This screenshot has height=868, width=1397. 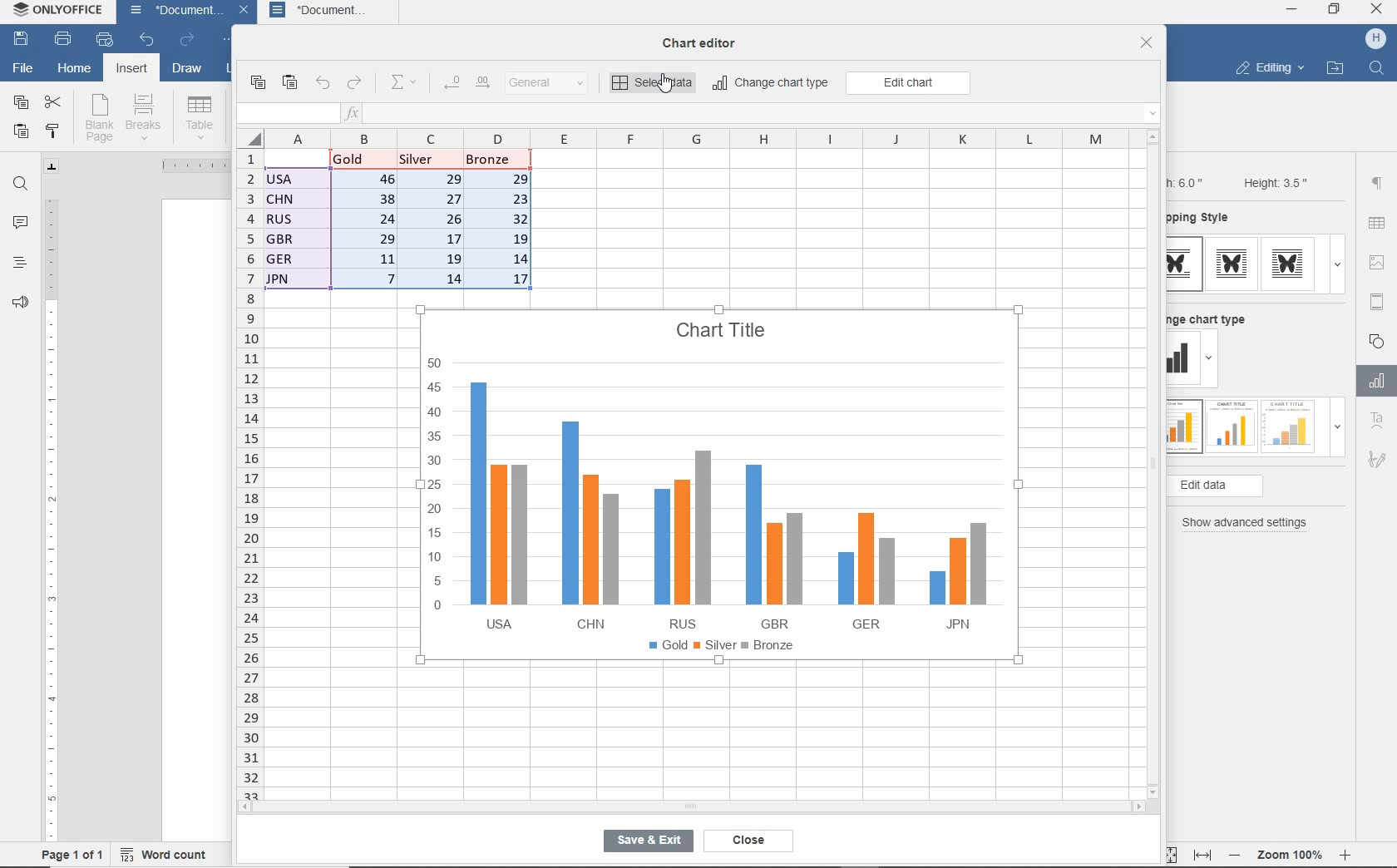 What do you see at coordinates (1292, 9) in the screenshot?
I see `minimize` at bounding box center [1292, 9].